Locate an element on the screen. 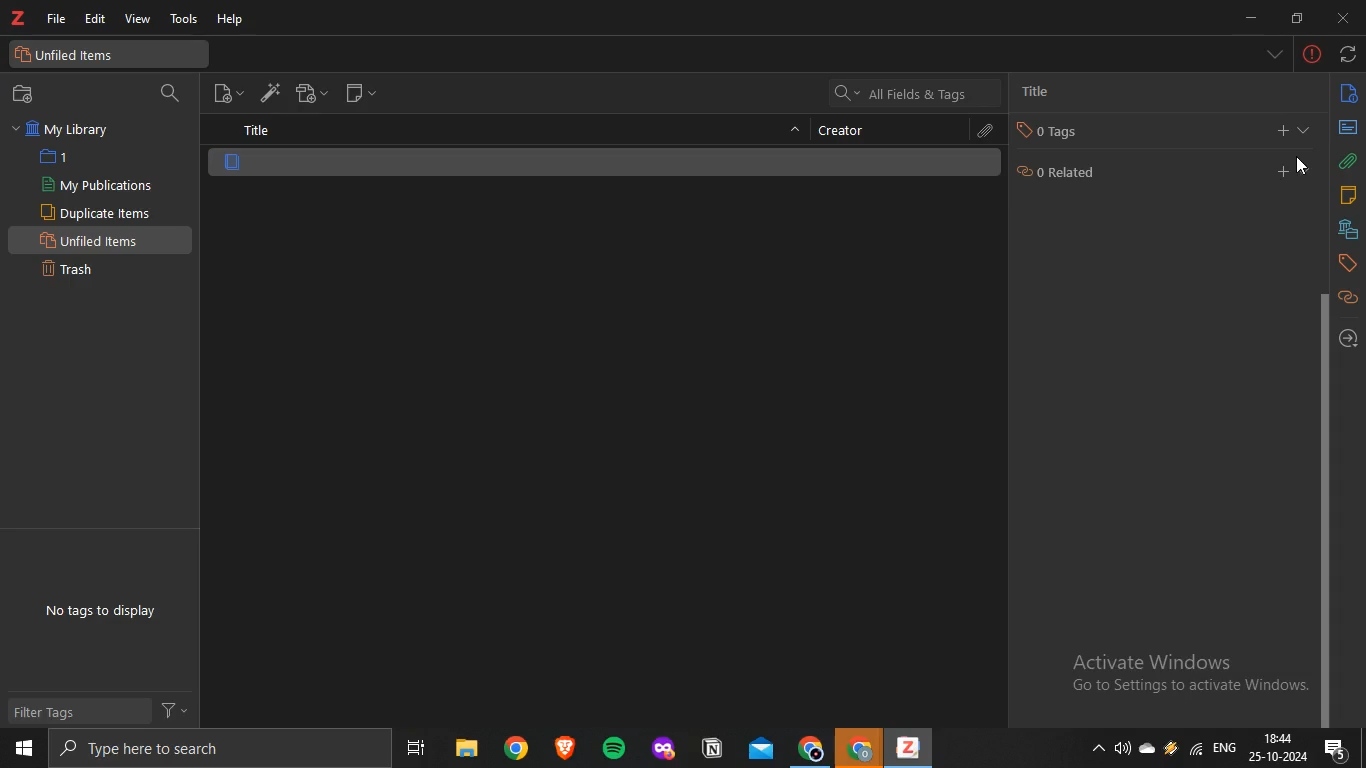 Image resolution: width=1366 pixels, height=768 pixels. 0 related is located at coordinates (1059, 172).